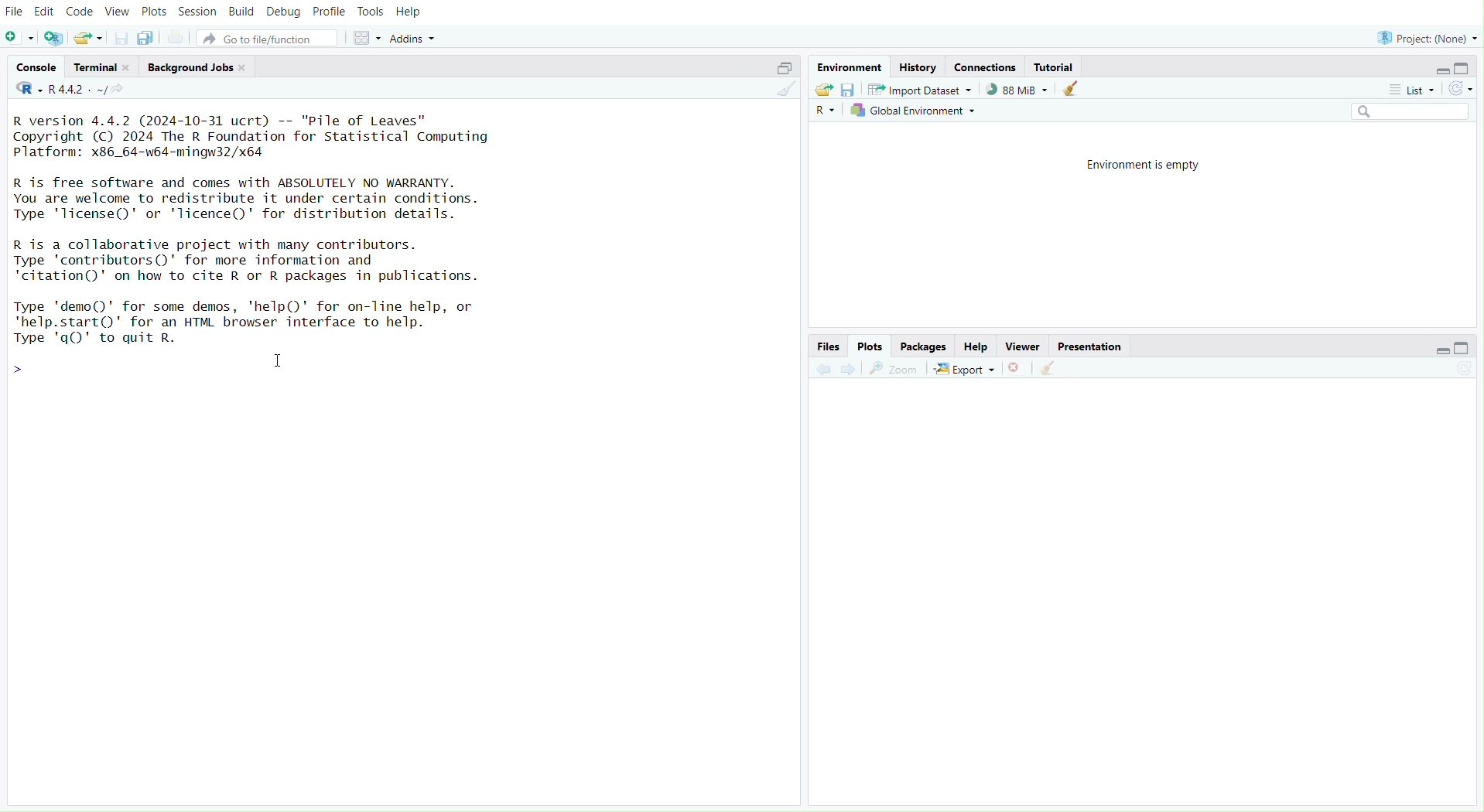  Describe the element at coordinates (102, 67) in the screenshot. I see `Terminal` at that location.